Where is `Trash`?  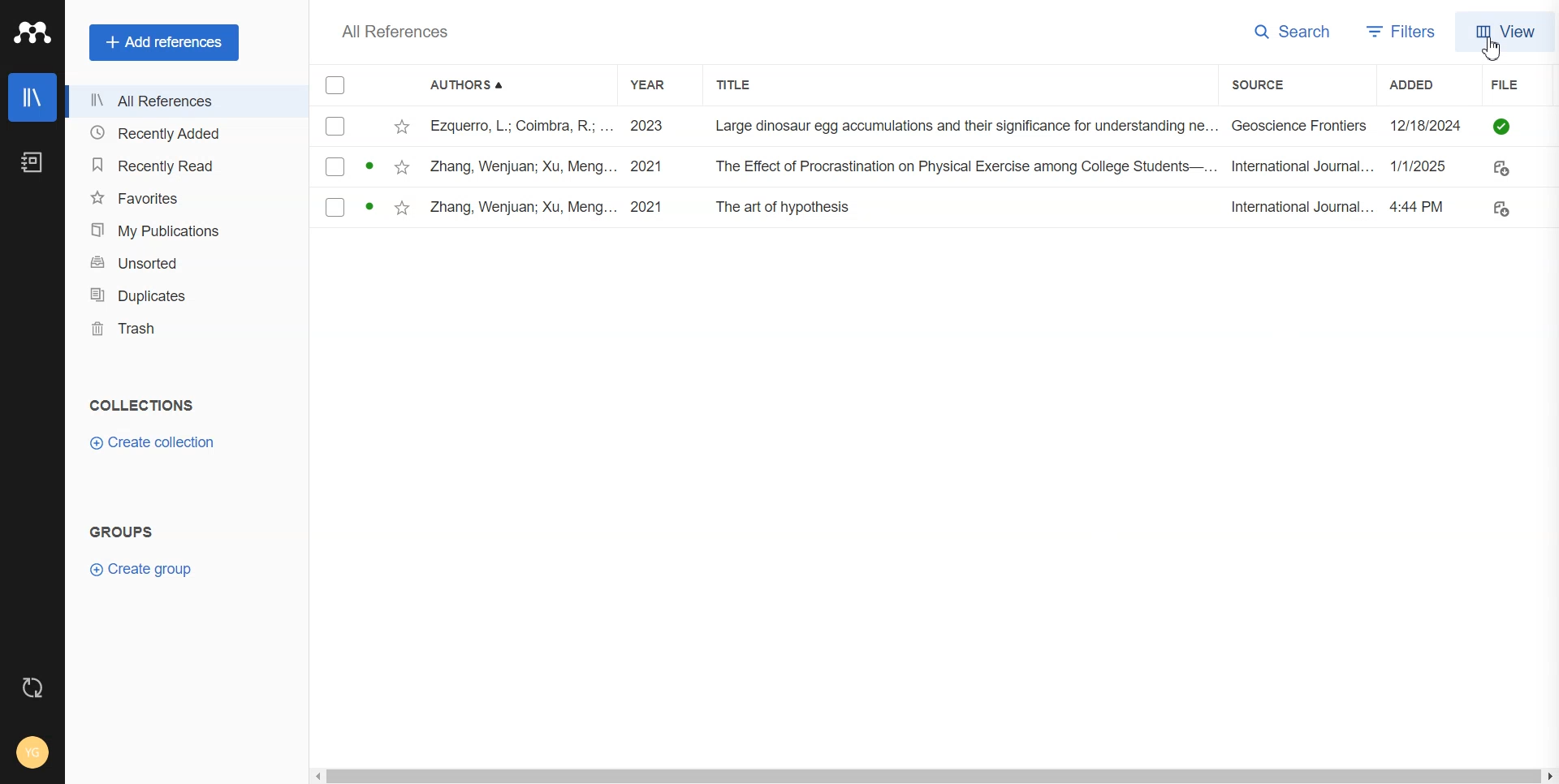
Trash is located at coordinates (173, 329).